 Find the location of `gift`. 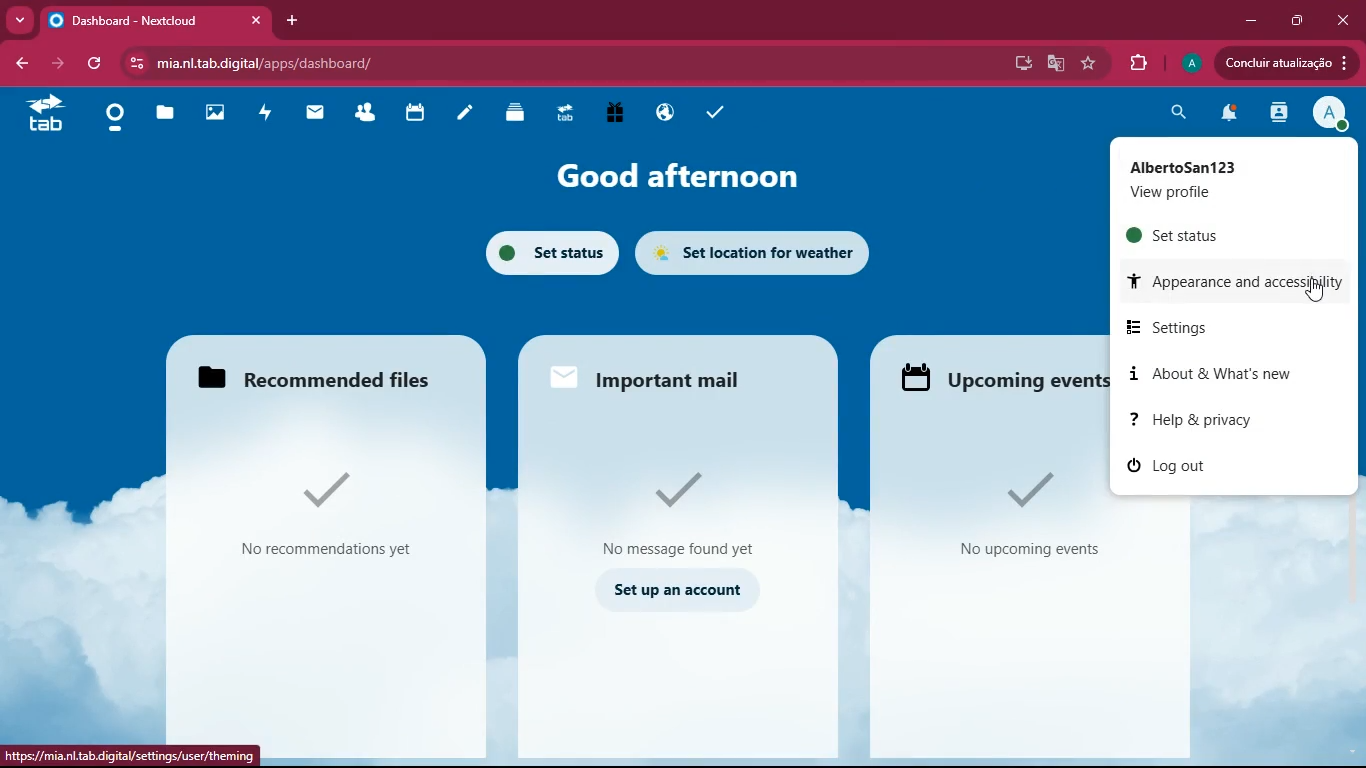

gift is located at coordinates (621, 114).